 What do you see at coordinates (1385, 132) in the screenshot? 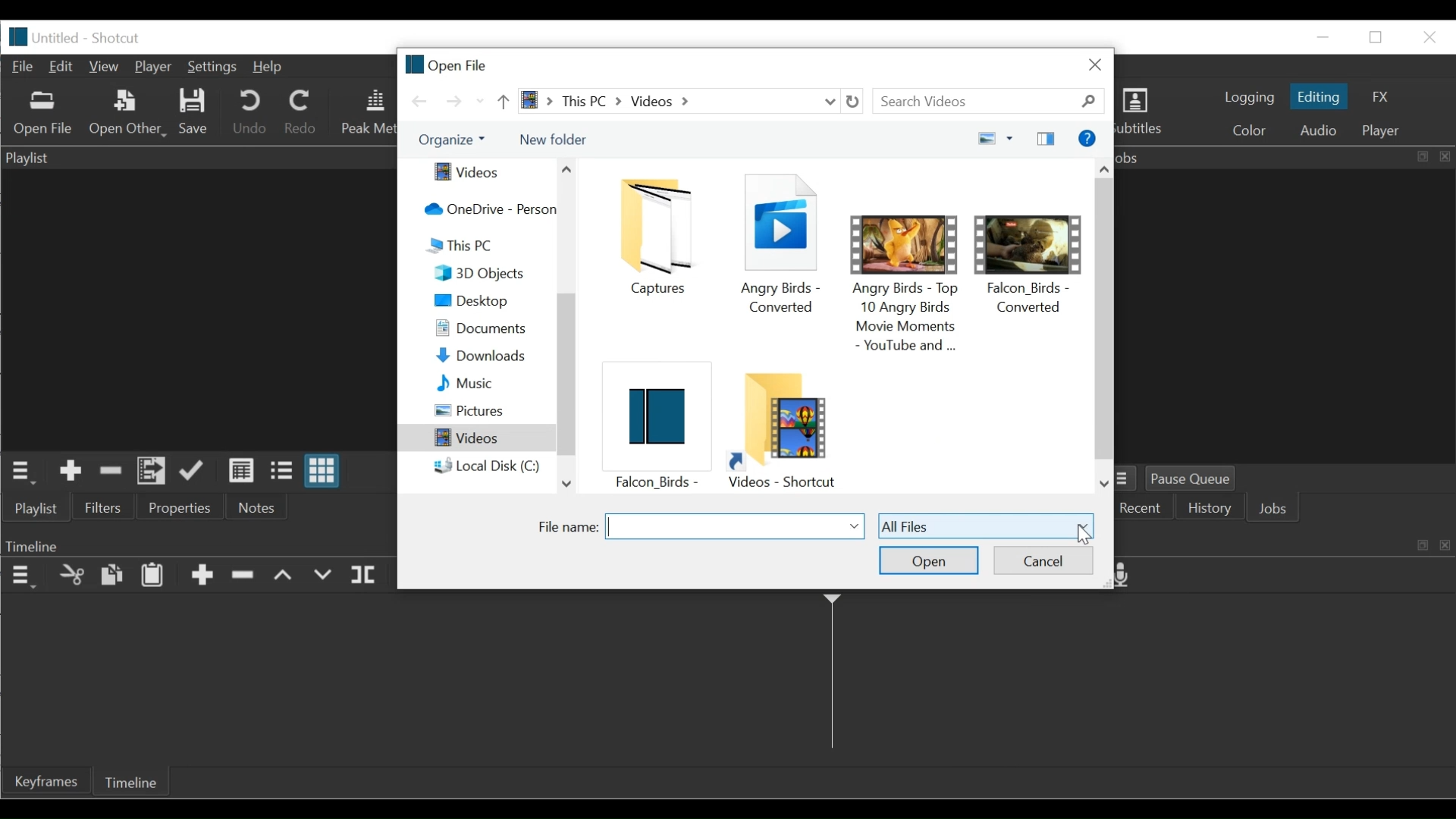
I see `player` at bounding box center [1385, 132].